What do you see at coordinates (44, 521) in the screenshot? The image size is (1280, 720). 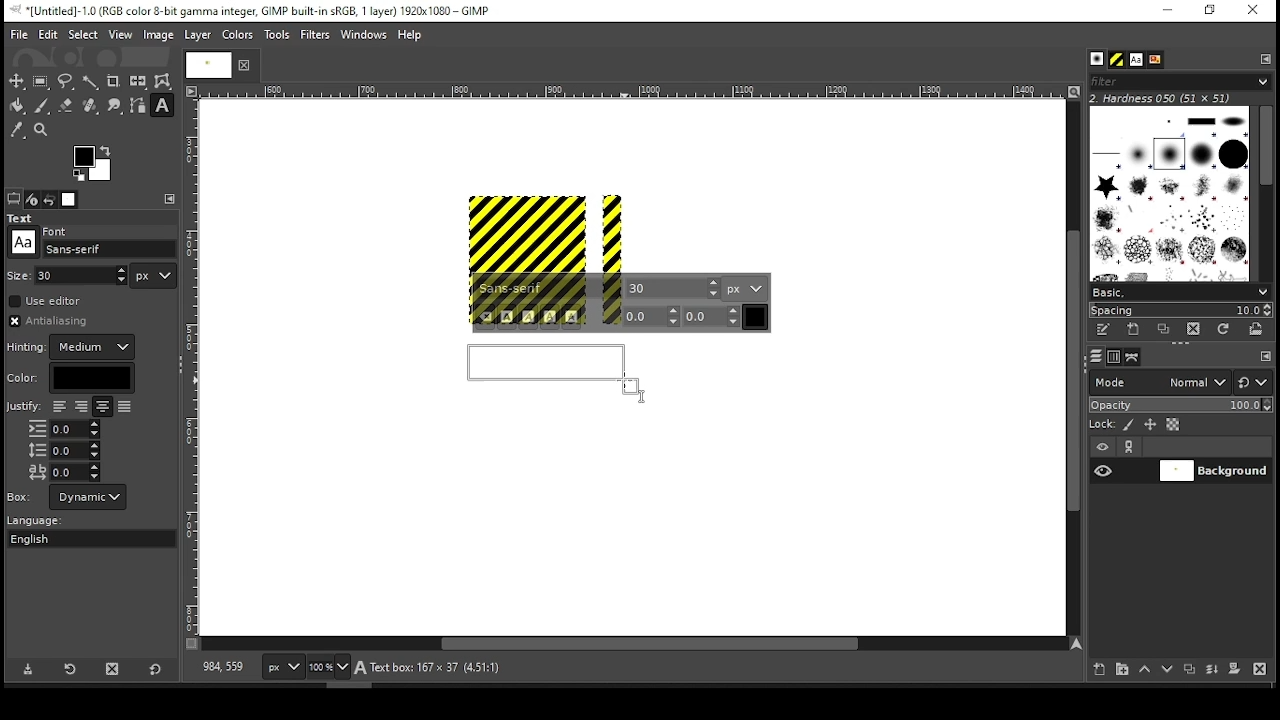 I see `language` at bounding box center [44, 521].